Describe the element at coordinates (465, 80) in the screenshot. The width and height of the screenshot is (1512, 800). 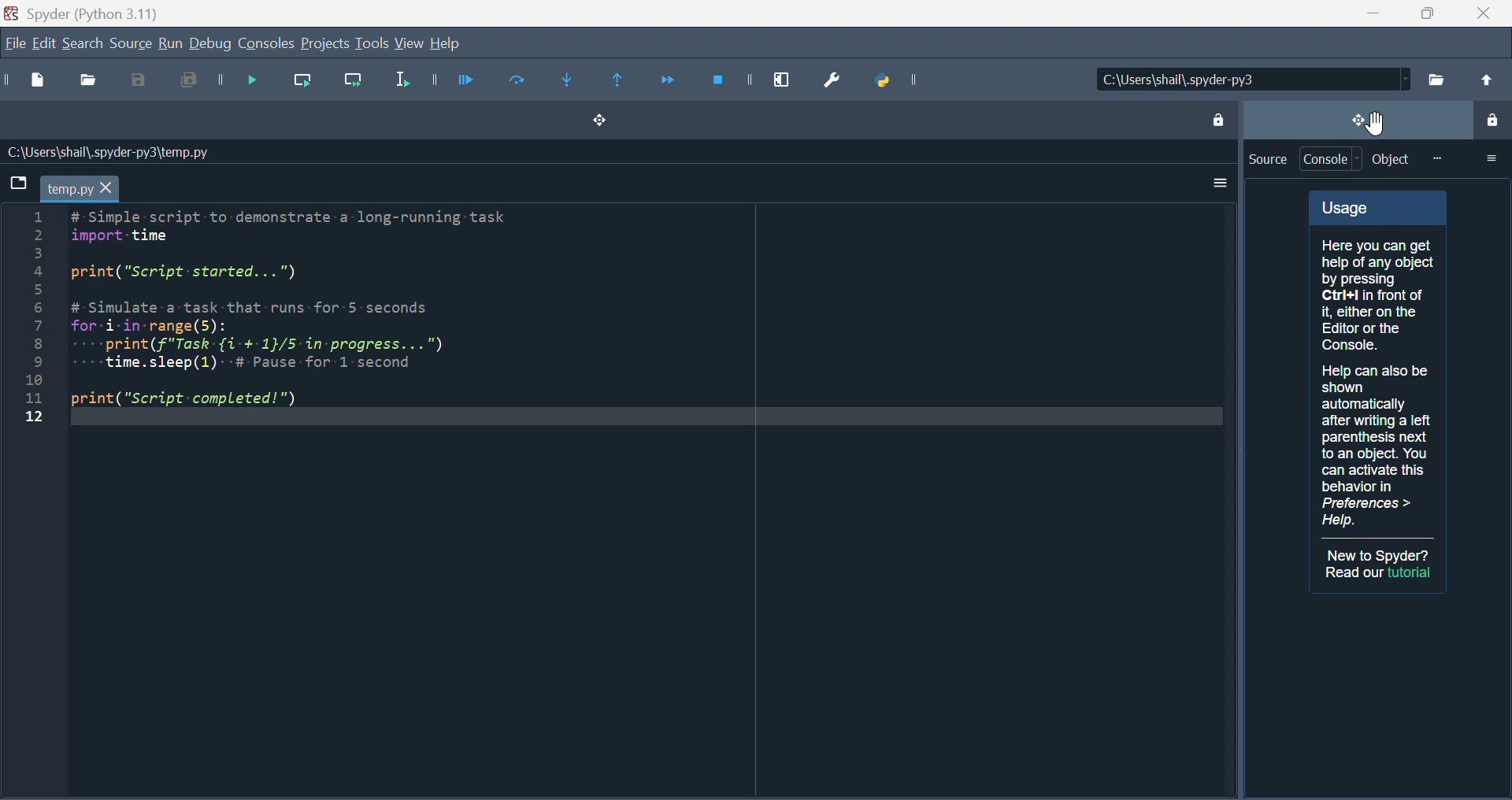
I see `Run file` at that location.